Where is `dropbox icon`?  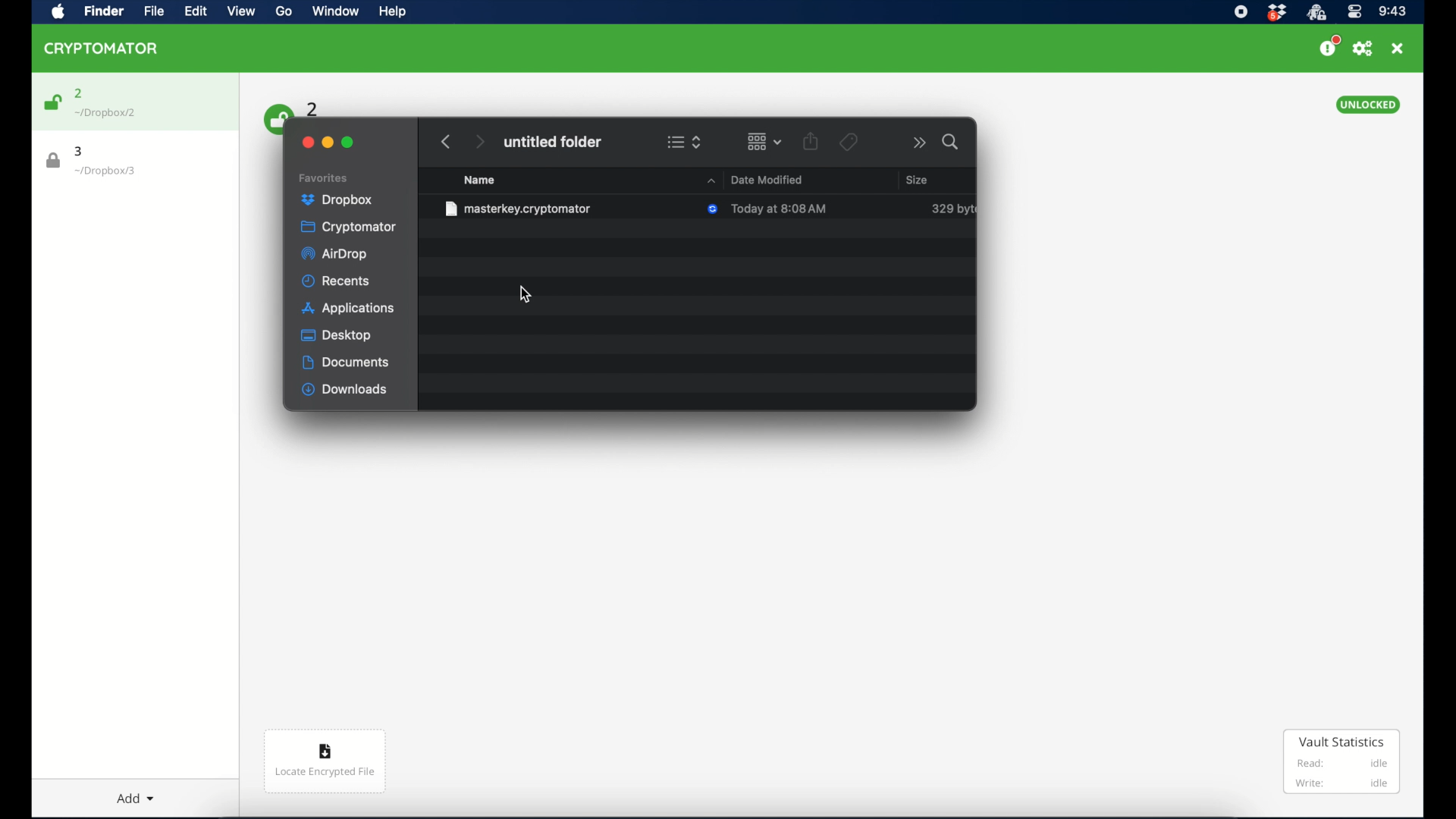
dropbox icon is located at coordinates (1276, 13).